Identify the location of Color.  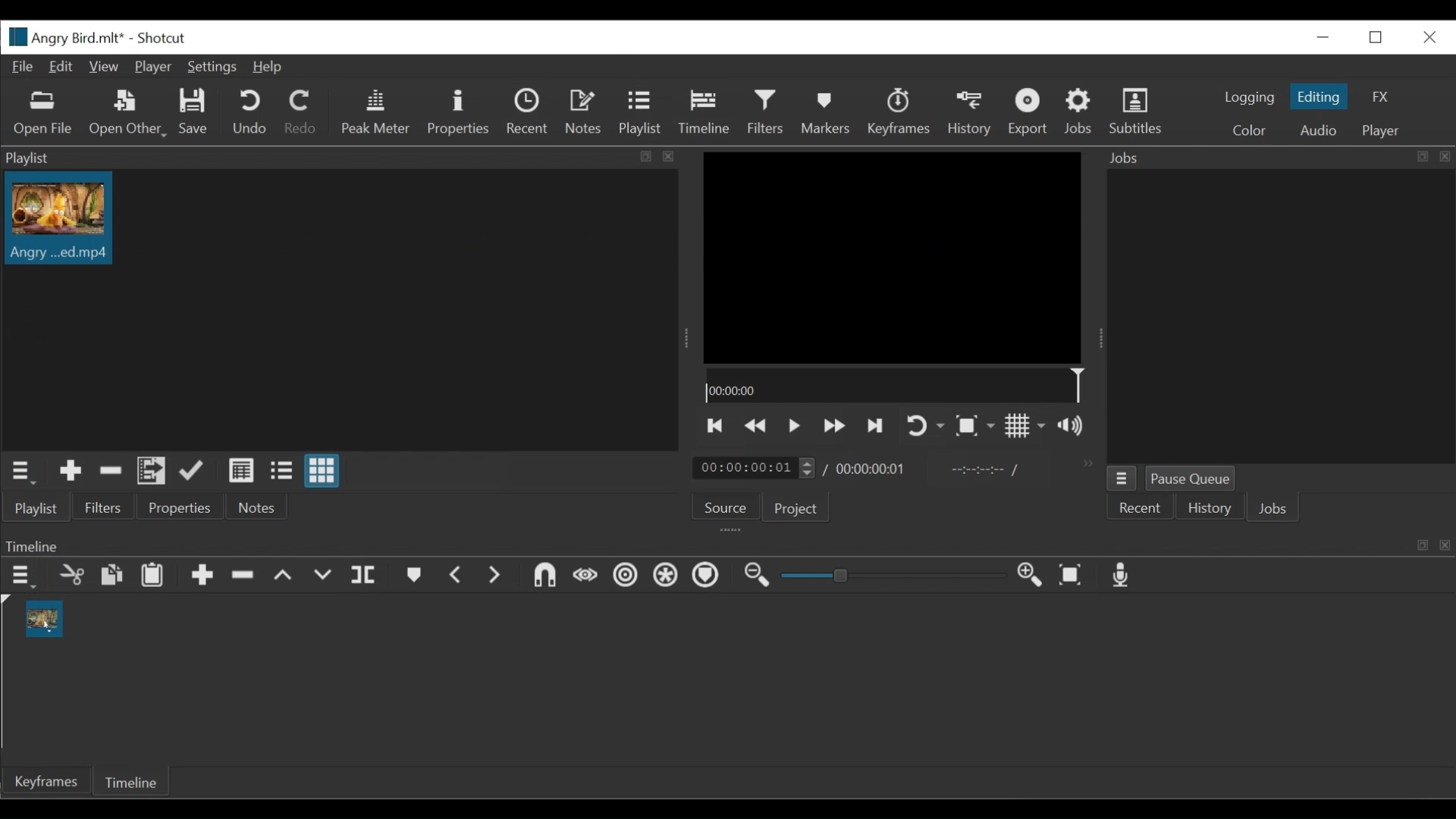
(1250, 129).